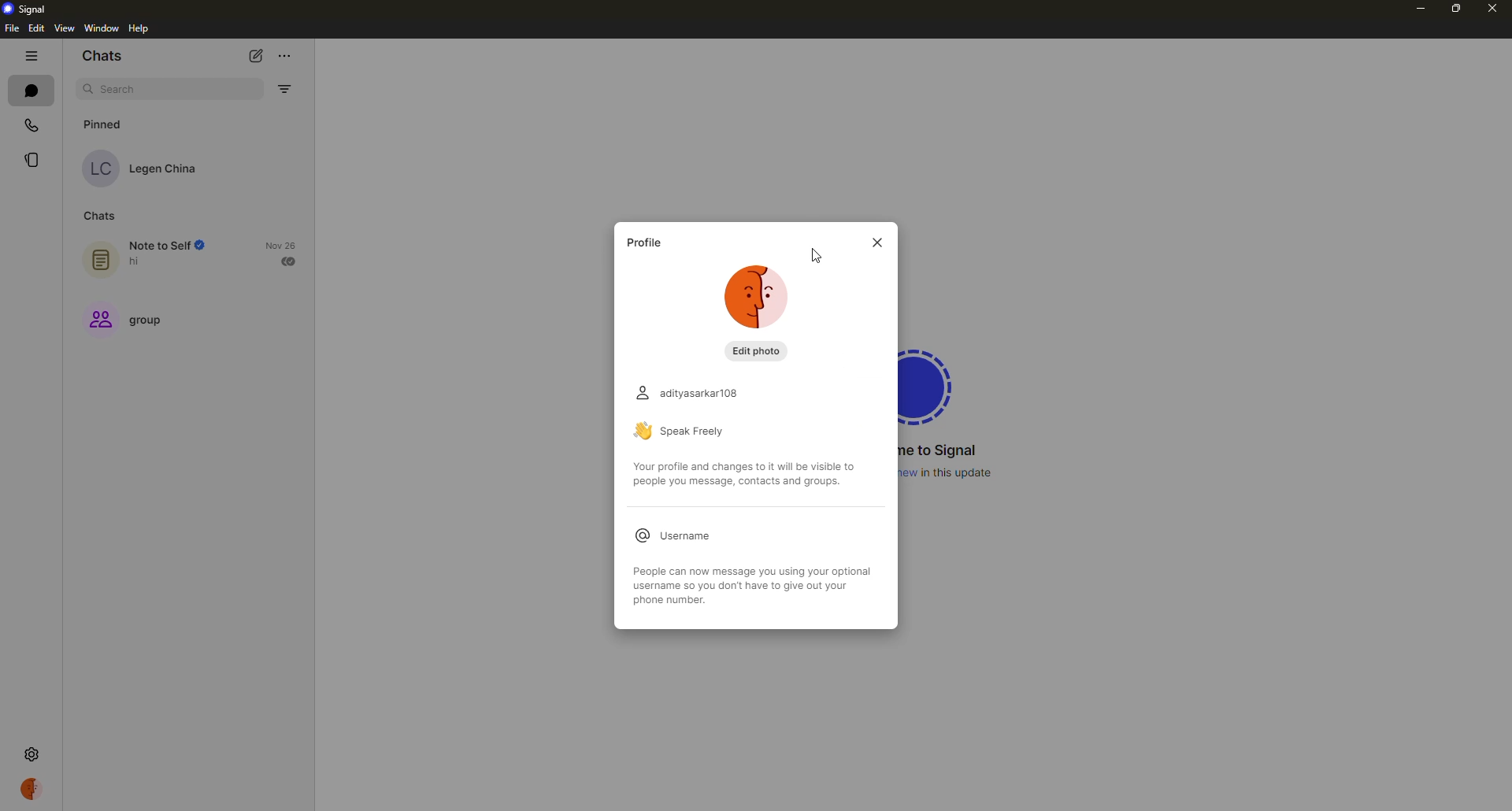  I want to click on new chat, so click(260, 54).